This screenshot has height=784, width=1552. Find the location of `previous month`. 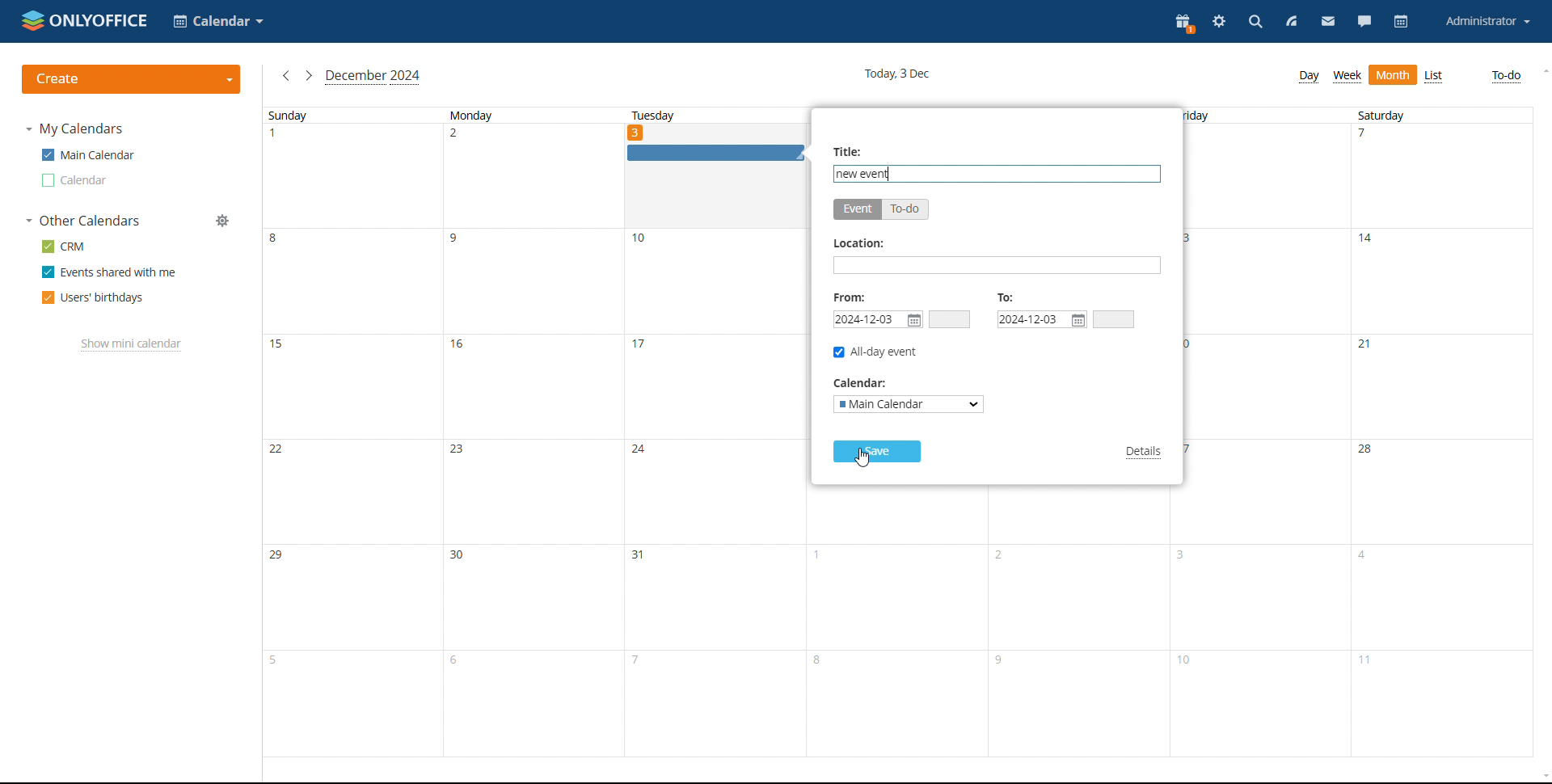

previous month is located at coordinates (286, 77).